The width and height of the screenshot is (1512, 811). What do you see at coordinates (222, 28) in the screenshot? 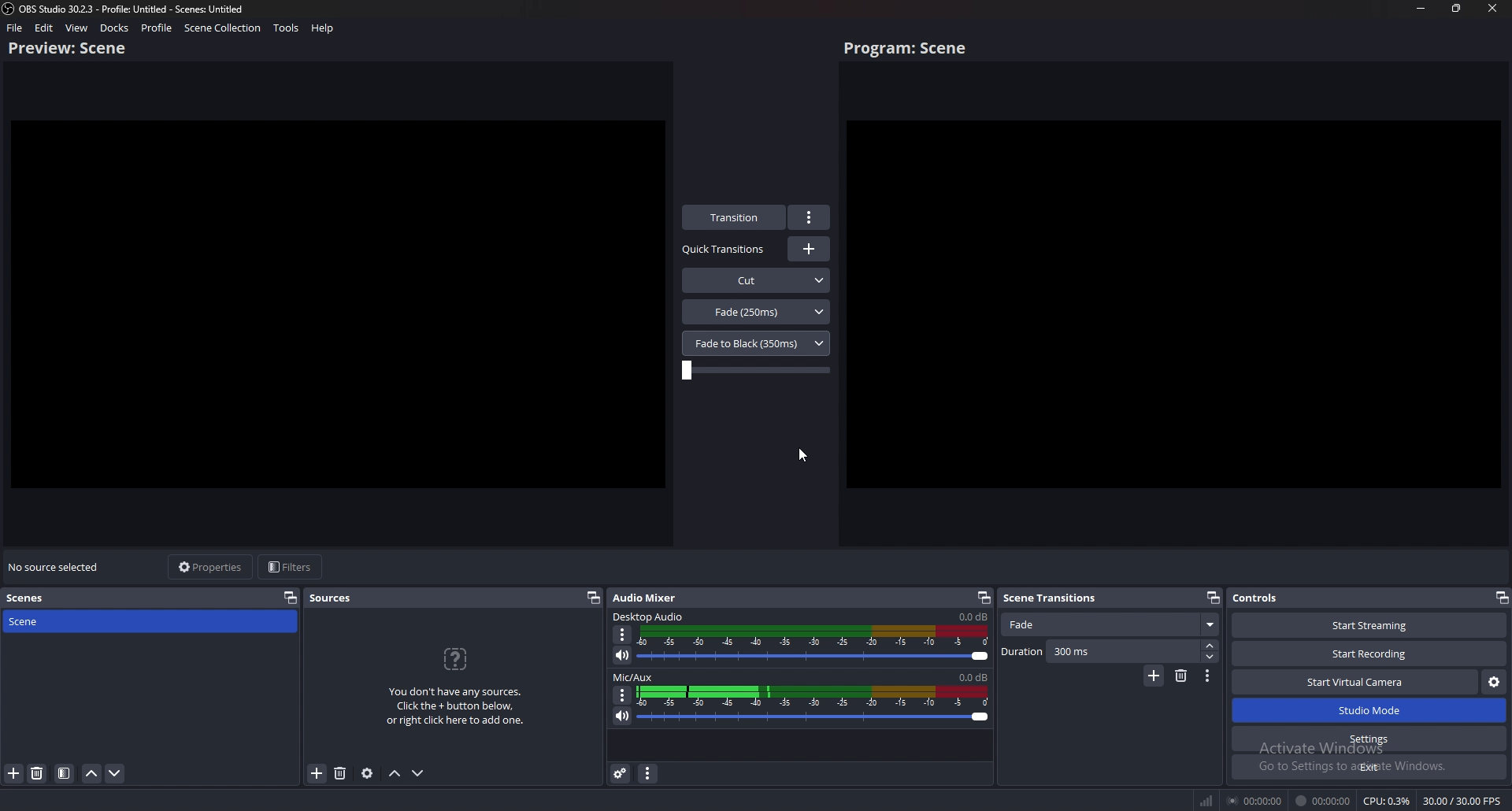
I see `scene collection` at bounding box center [222, 28].